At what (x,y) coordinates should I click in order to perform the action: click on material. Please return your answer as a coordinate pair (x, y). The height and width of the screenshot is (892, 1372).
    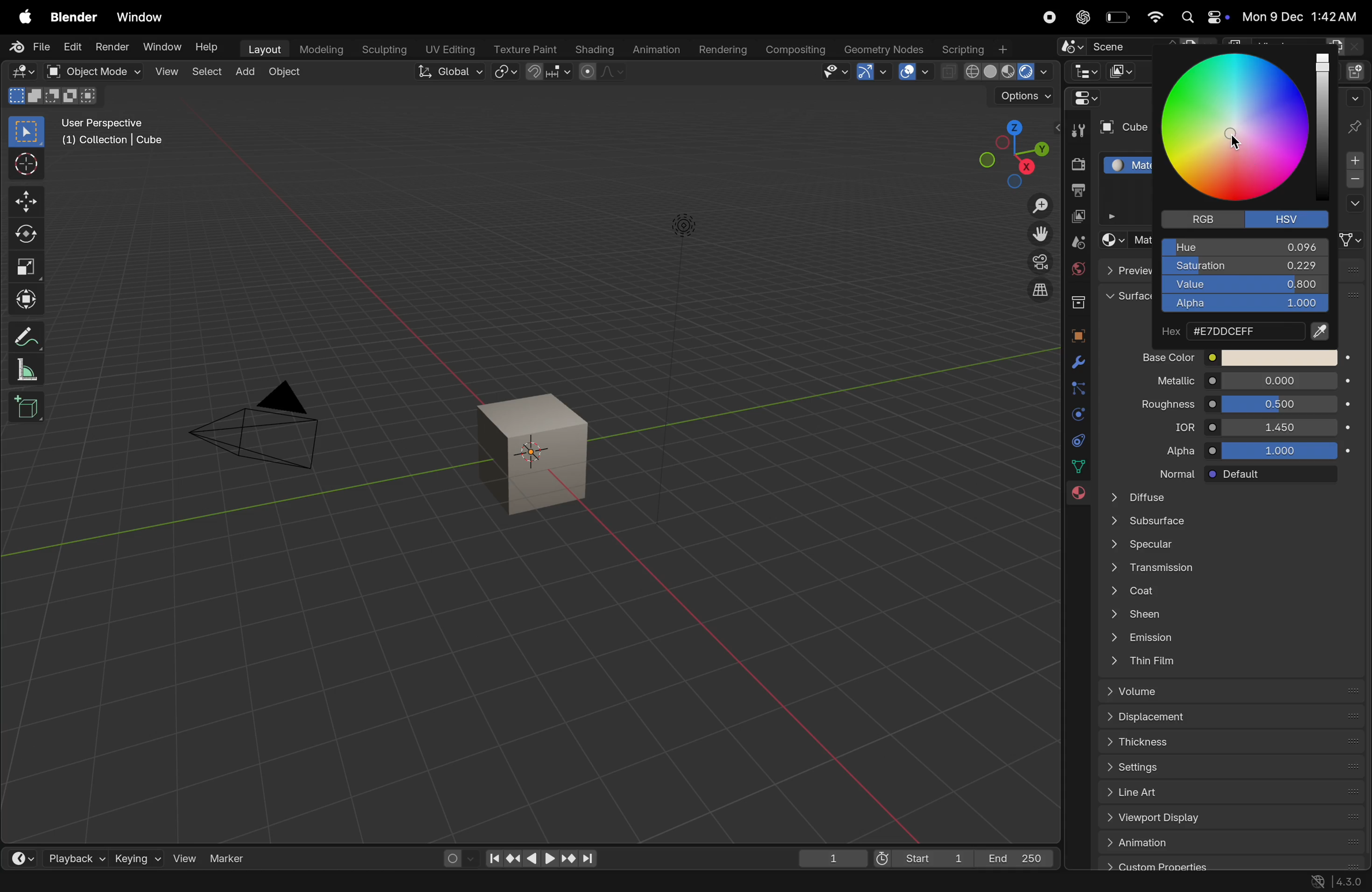
    Looking at the image, I should click on (1077, 497).